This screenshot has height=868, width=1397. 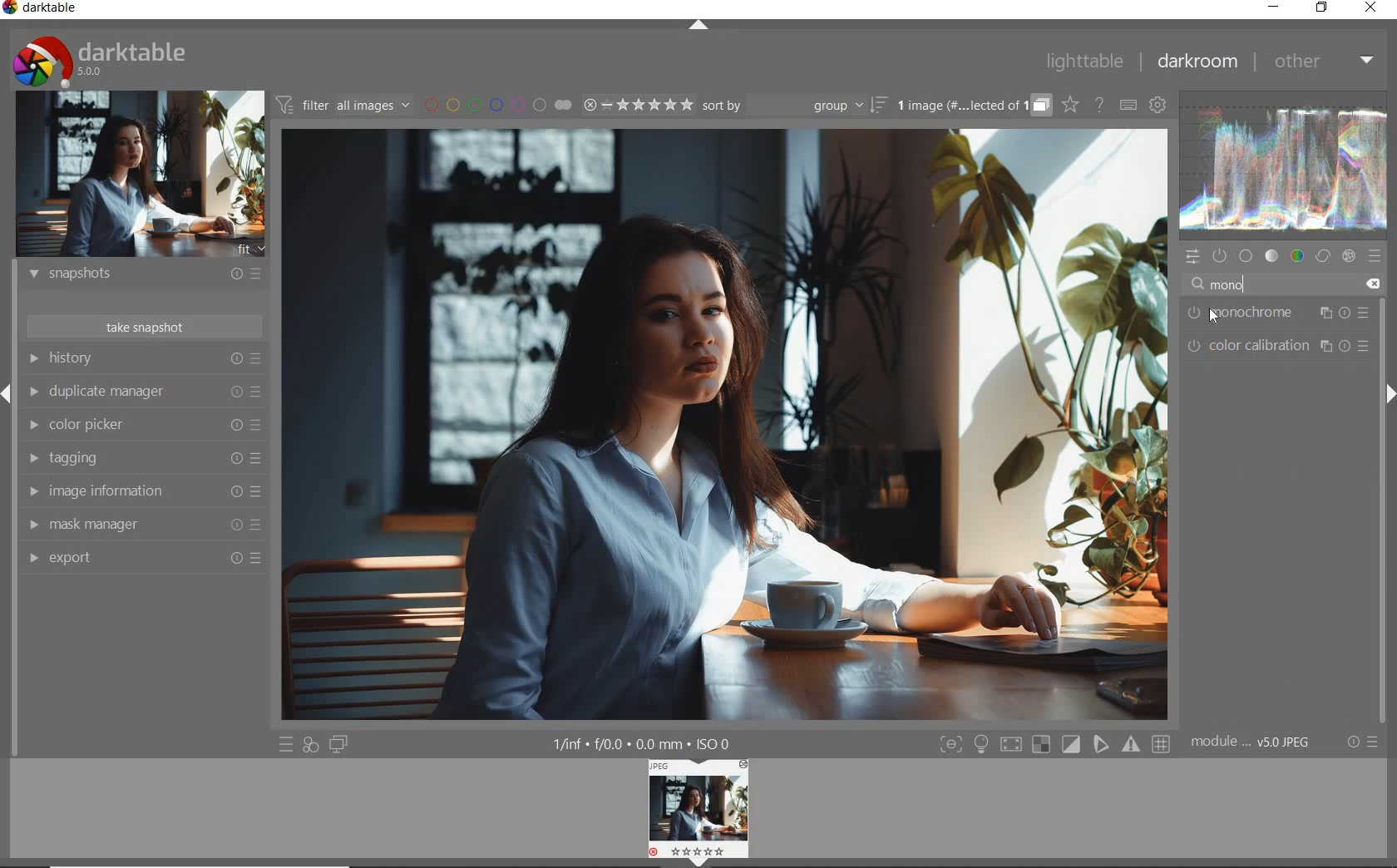 I want to click on Cursor, so click(x=1213, y=318).